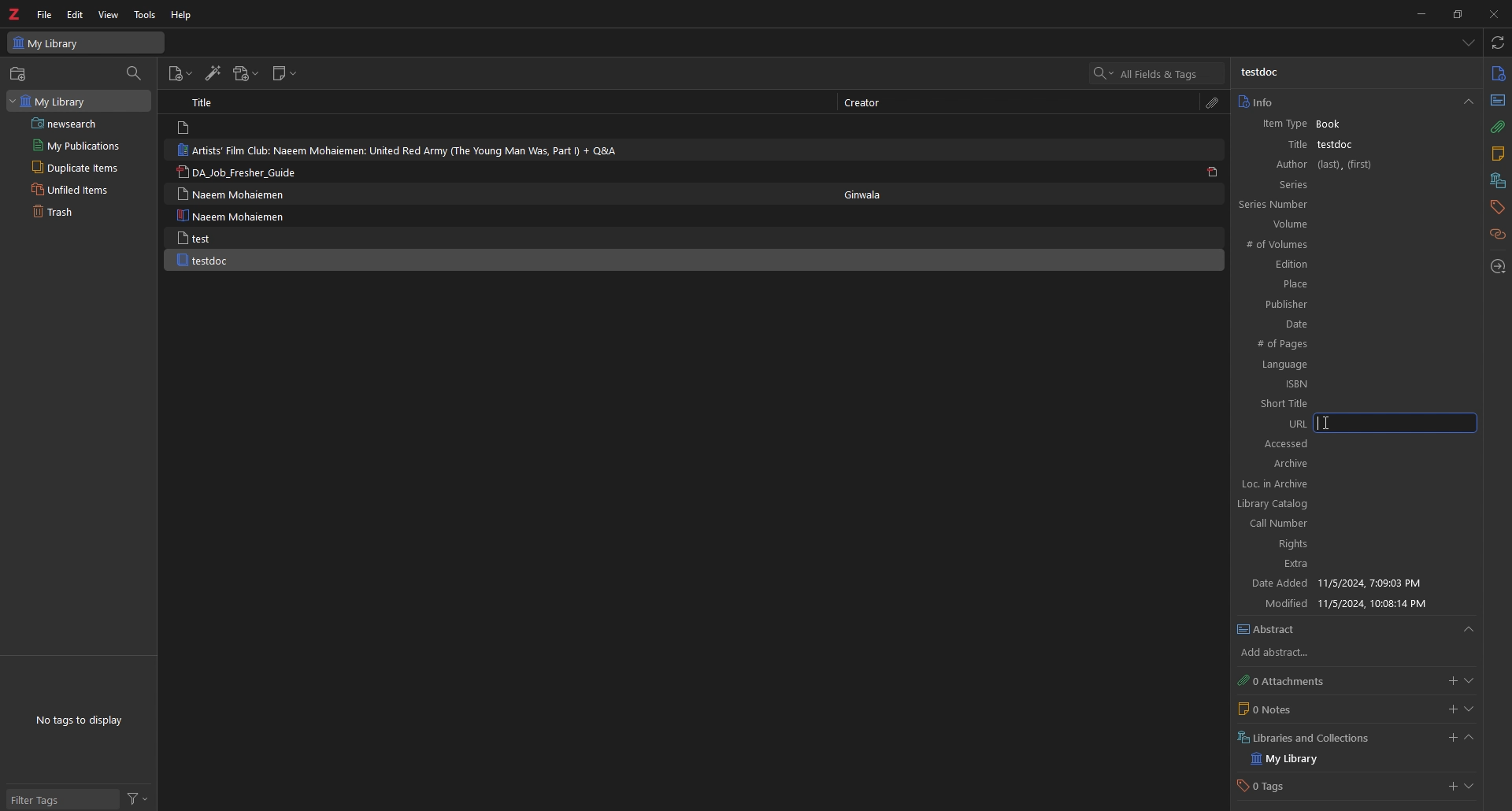  Describe the element at coordinates (239, 173) in the screenshot. I see `DA_lob_Fresher_Guide` at that location.